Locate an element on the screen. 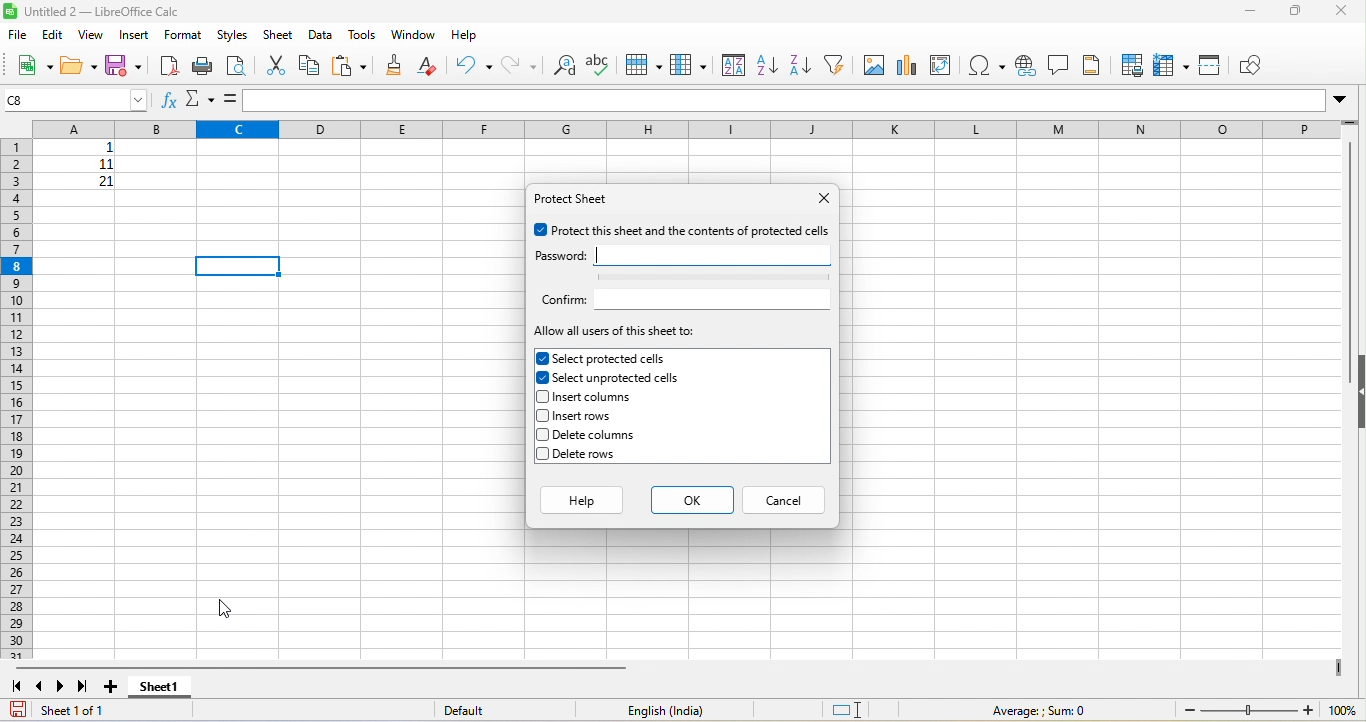 This screenshot has height=722, width=1366. sort is located at coordinates (733, 64).